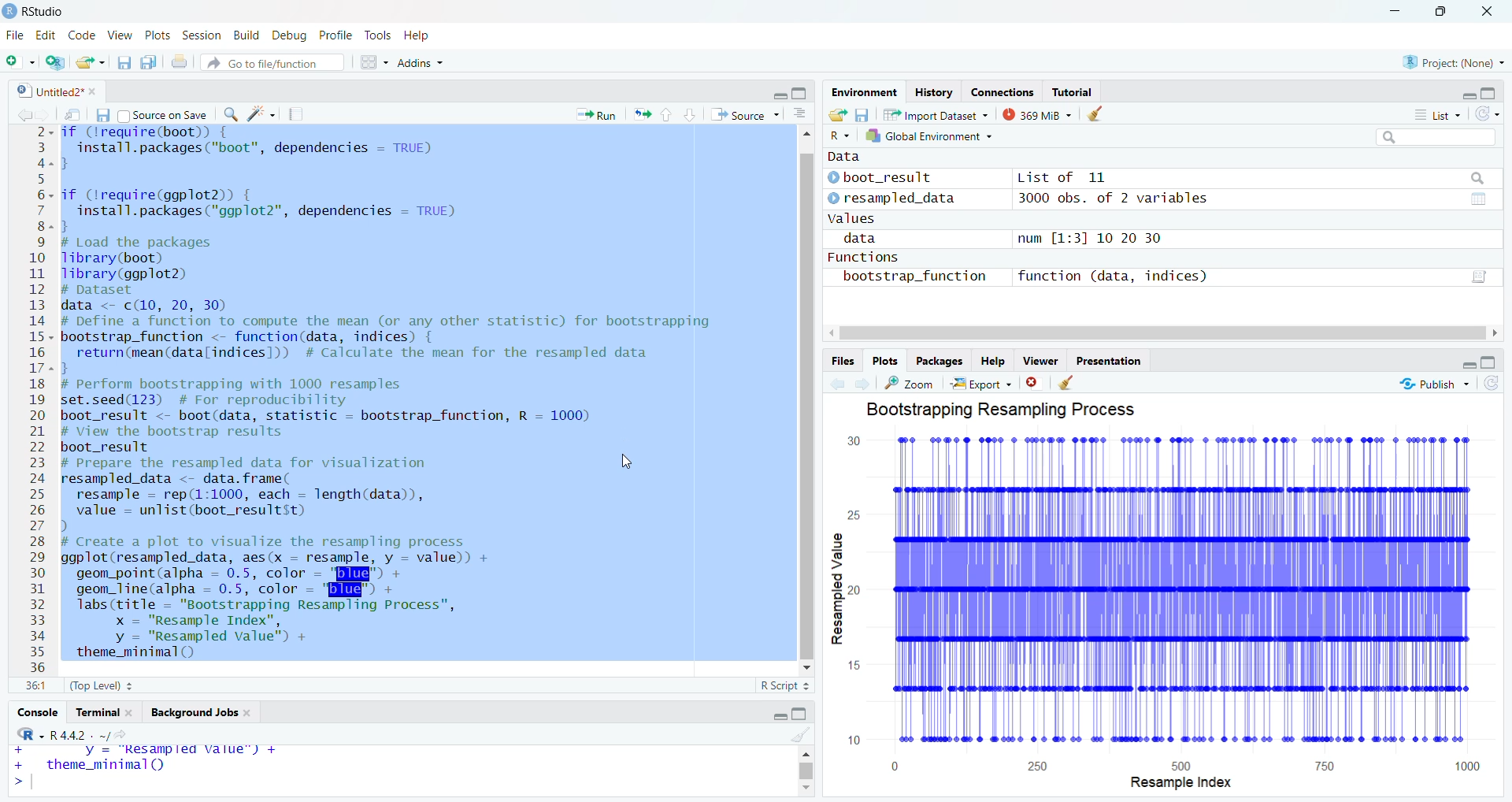  Describe the element at coordinates (36, 685) in the screenshot. I see `1:1` at that location.